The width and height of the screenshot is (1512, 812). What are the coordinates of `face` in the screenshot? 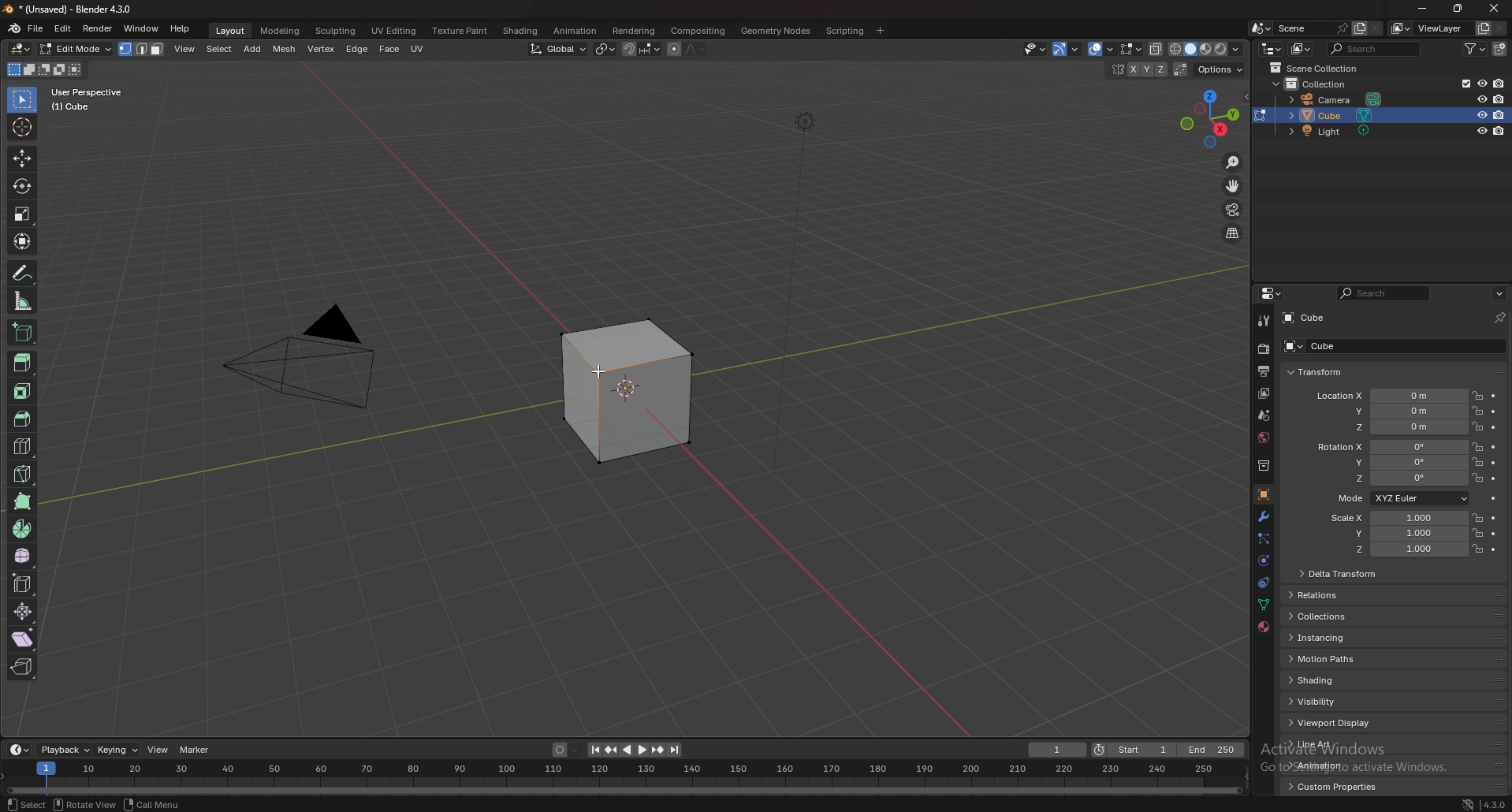 It's located at (387, 50).